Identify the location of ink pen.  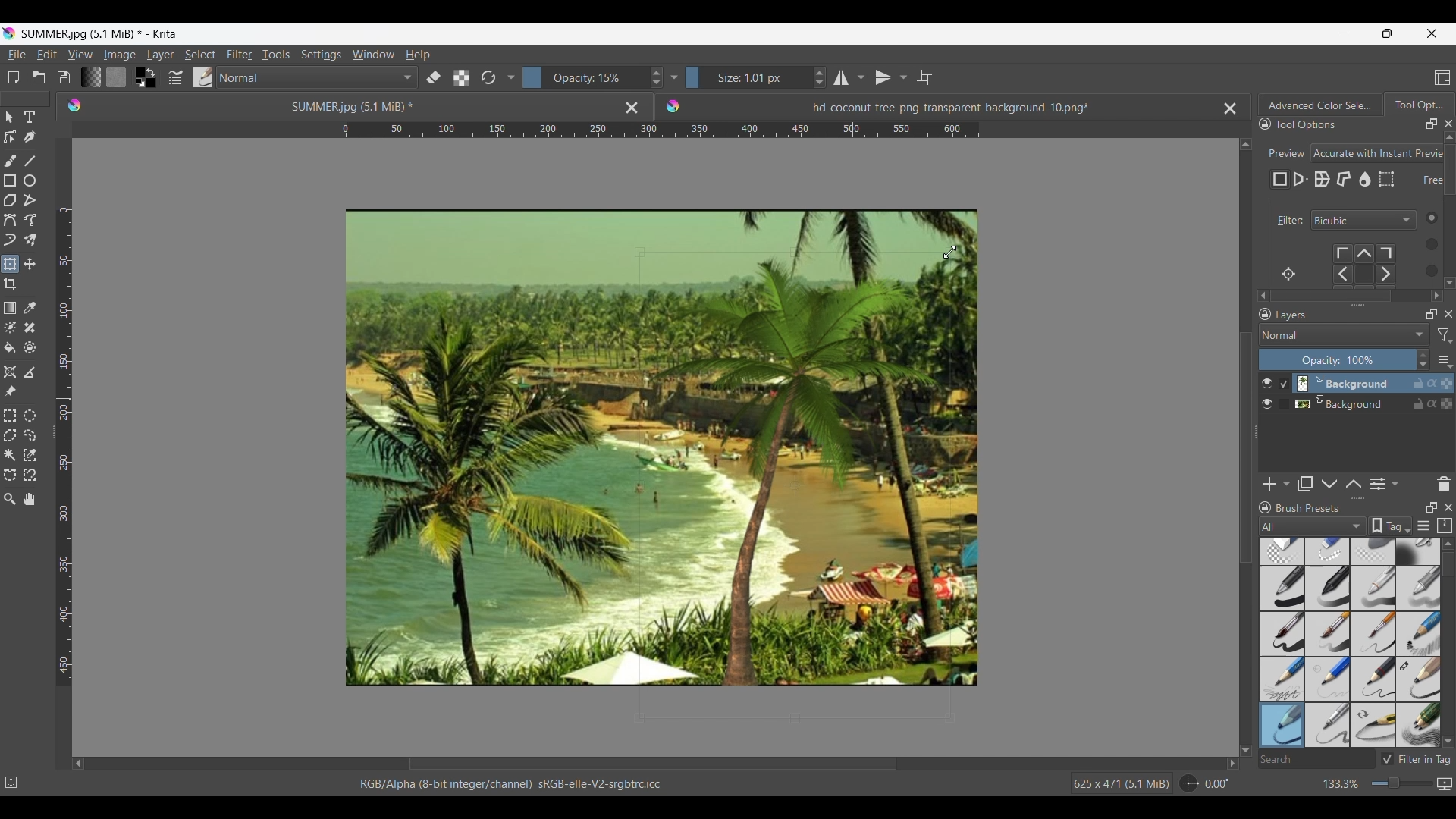
(1419, 727).